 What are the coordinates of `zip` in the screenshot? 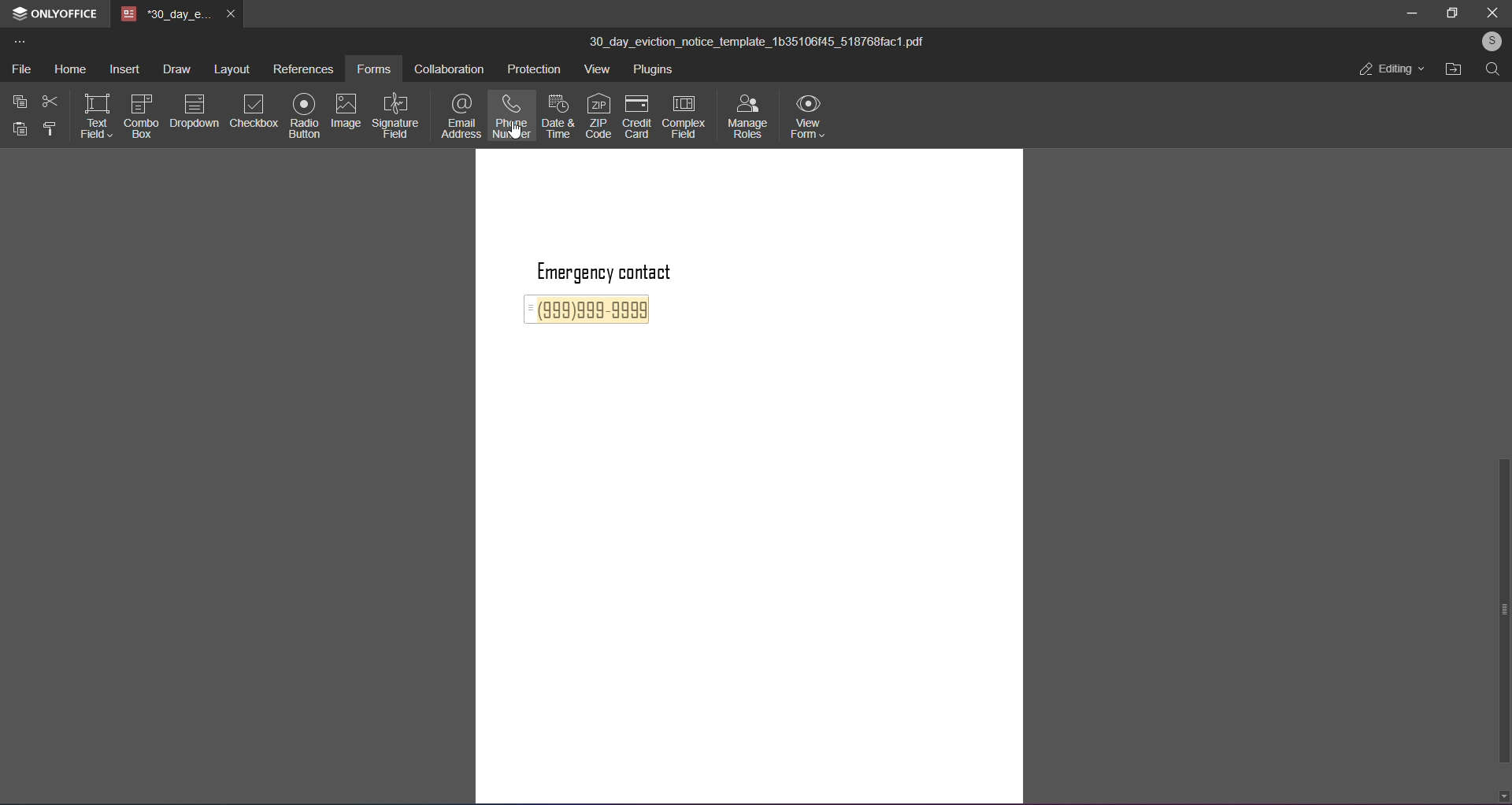 It's located at (597, 118).